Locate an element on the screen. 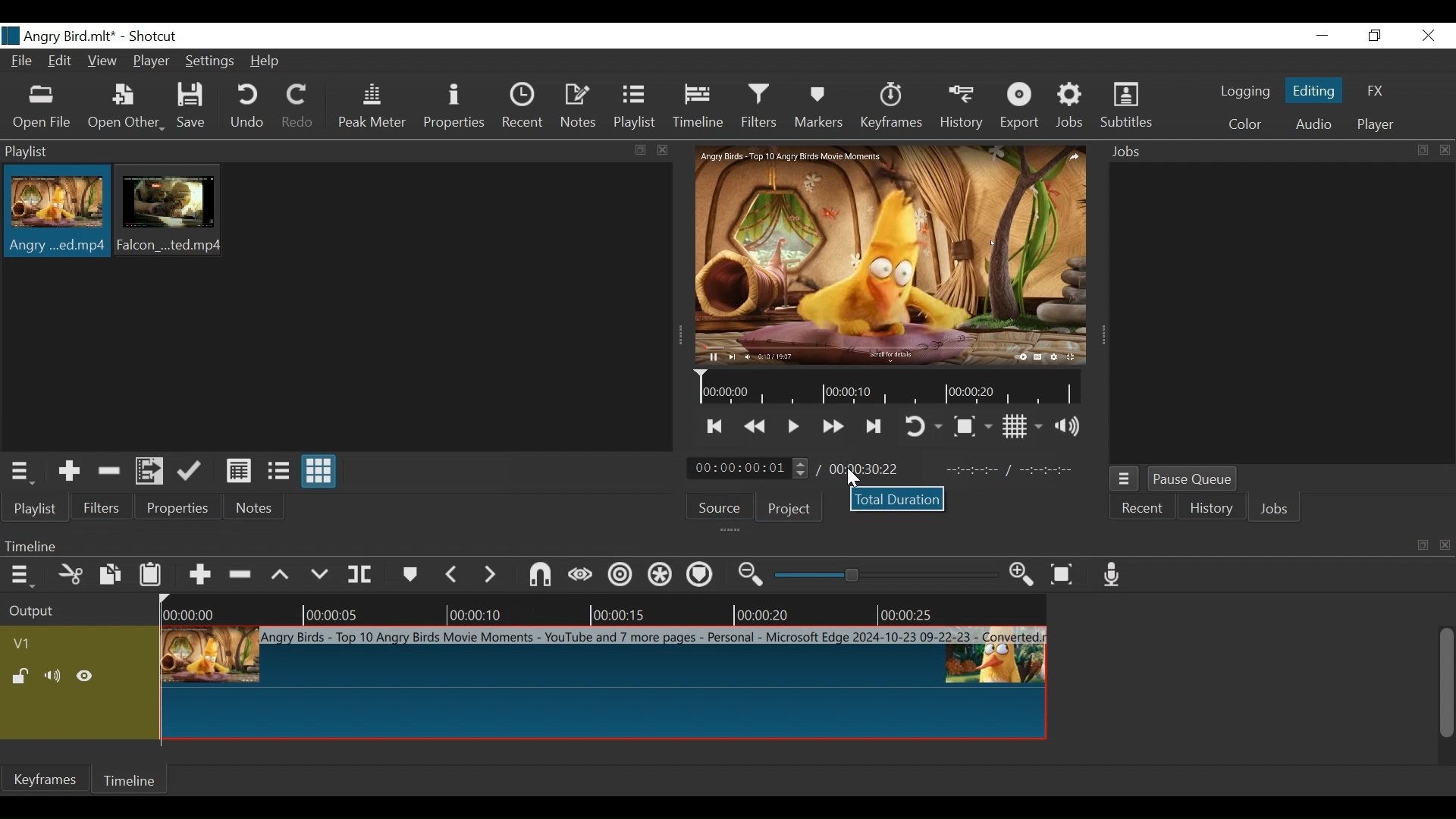 Image resolution: width=1456 pixels, height=819 pixels. In point is located at coordinates (1012, 469).